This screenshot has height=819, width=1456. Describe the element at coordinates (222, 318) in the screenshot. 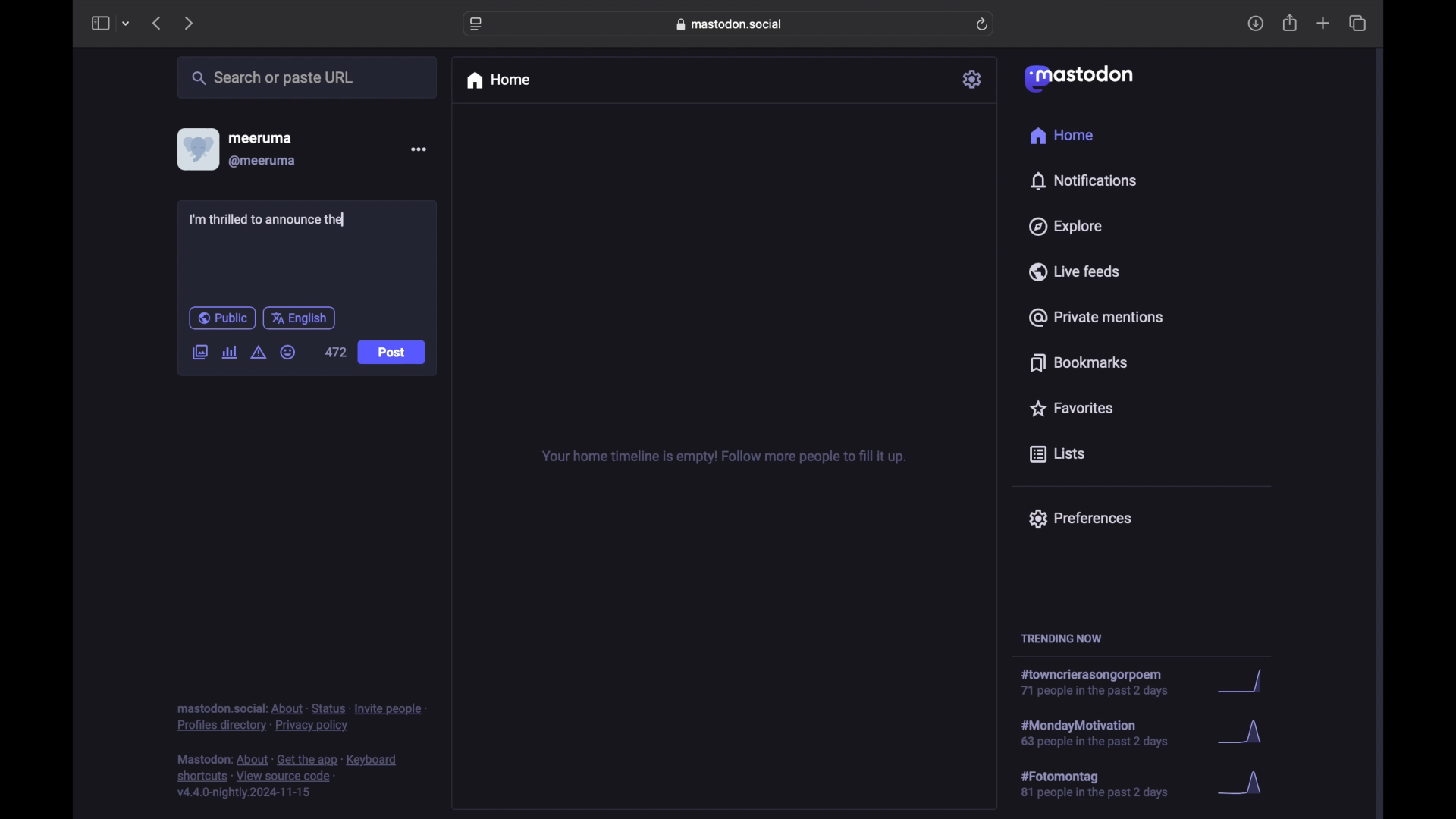

I see `public` at that location.